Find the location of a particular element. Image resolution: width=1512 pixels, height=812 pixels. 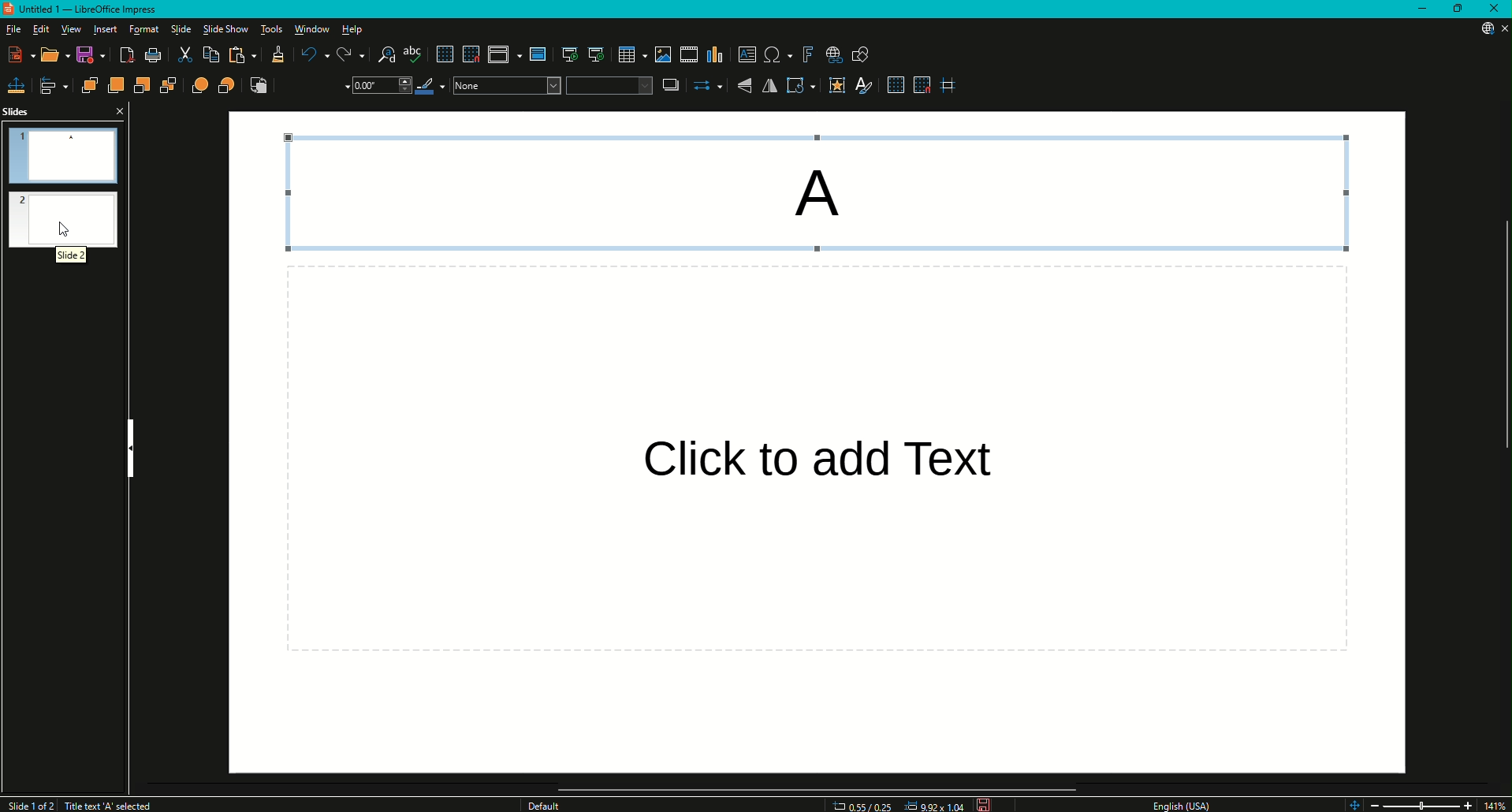

View is located at coordinates (72, 29).